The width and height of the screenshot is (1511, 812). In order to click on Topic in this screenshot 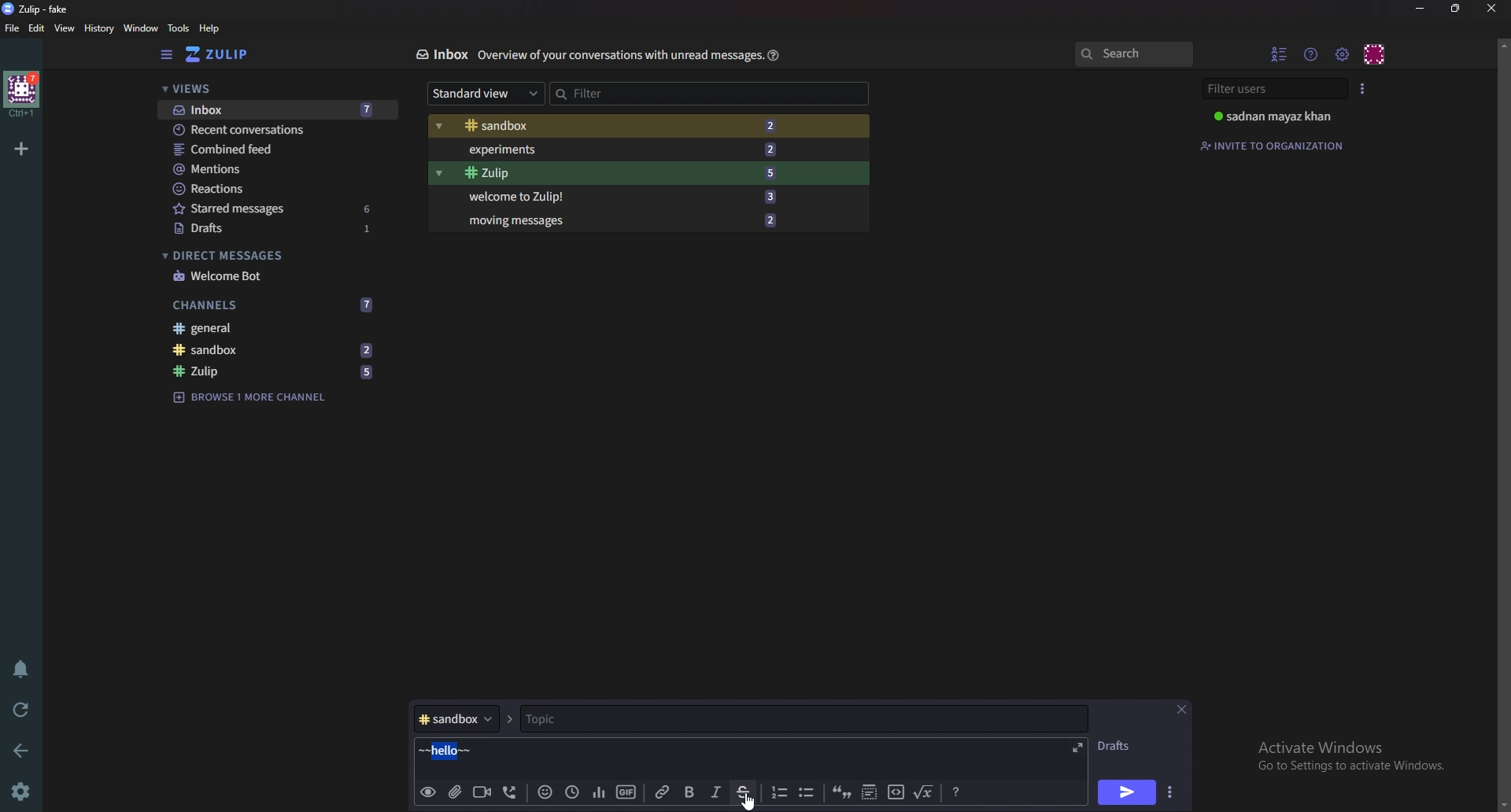, I will do `click(608, 719)`.